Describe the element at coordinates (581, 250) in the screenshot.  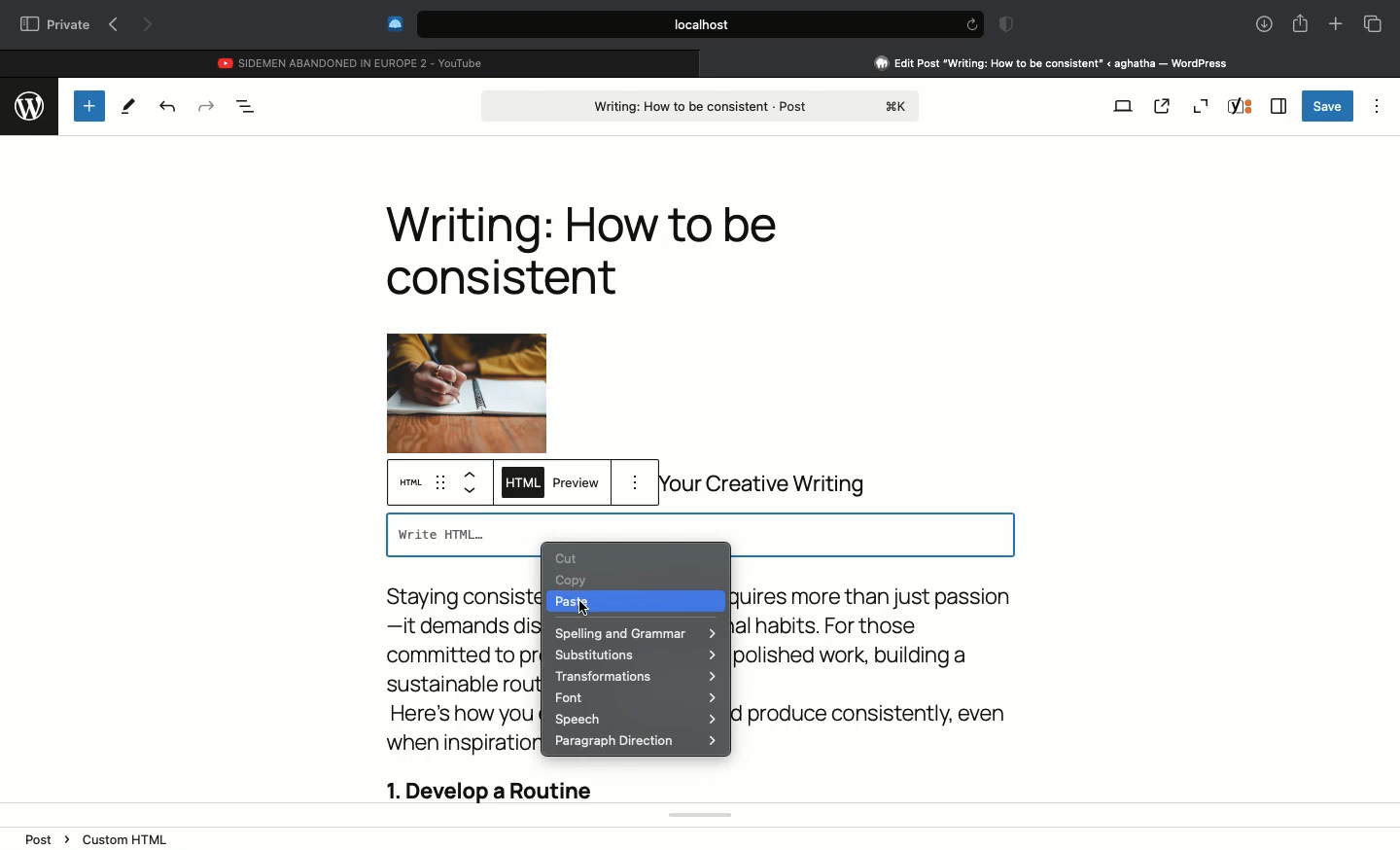
I see `Heading` at that location.